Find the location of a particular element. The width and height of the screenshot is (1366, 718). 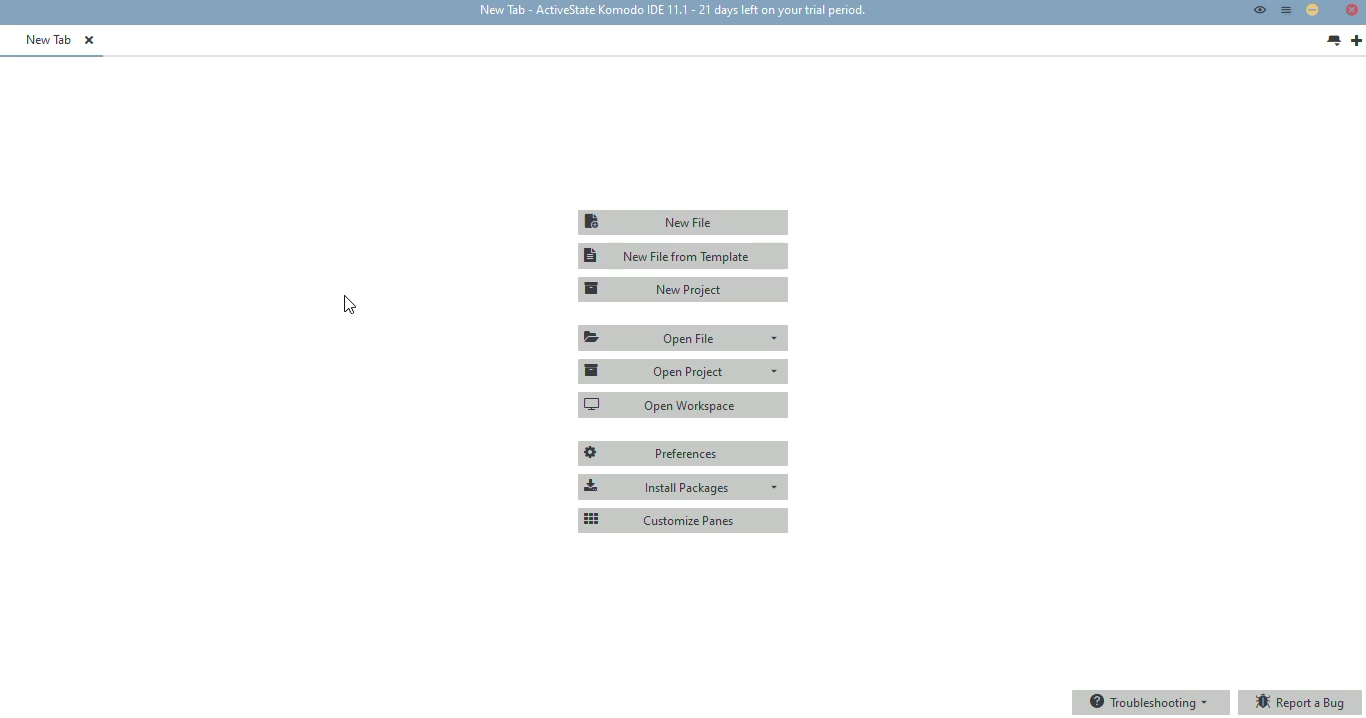

hotkey (Ctrl +,) is located at coordinates (349, 304).